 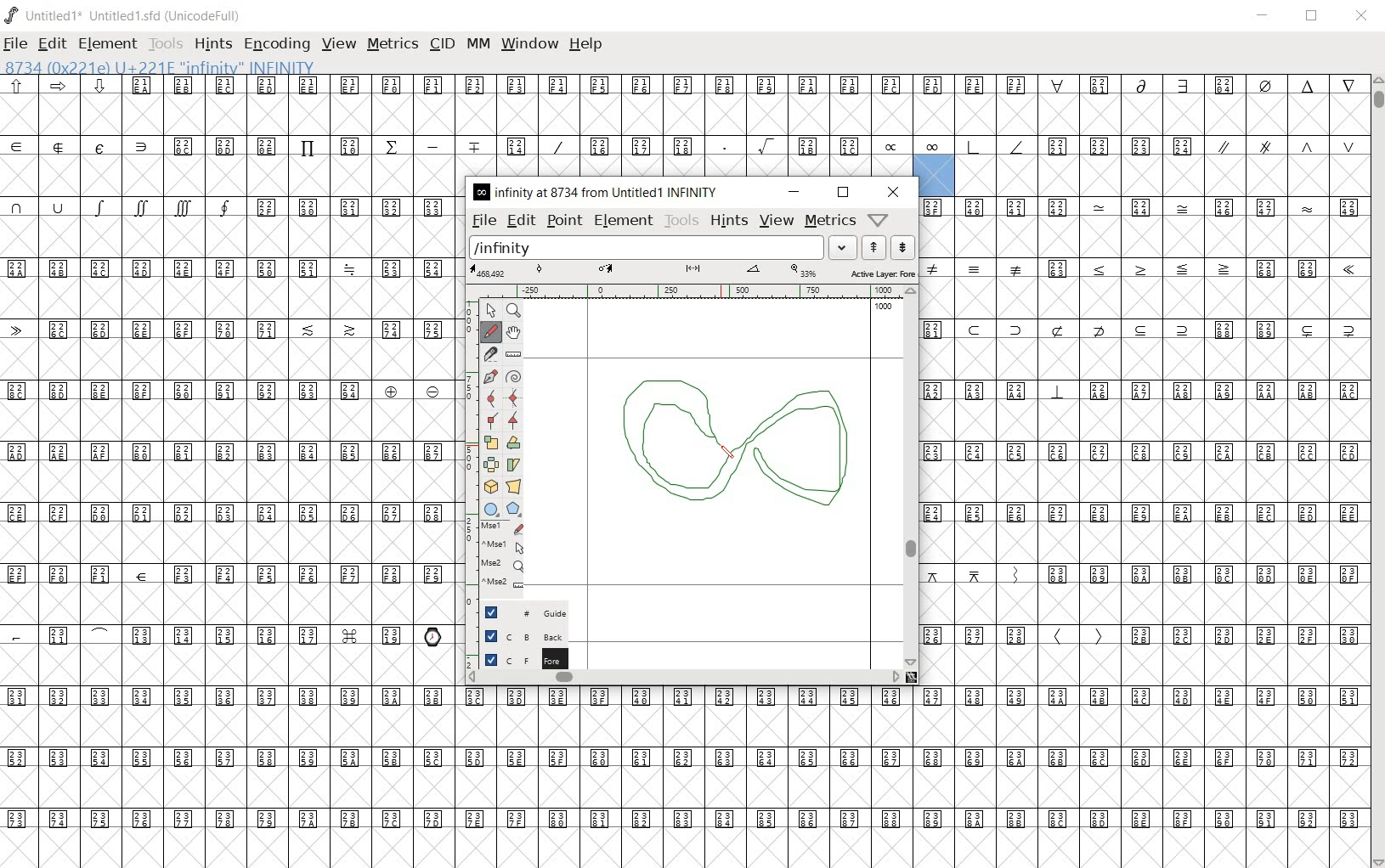 What do you see at coordinates (489, 486) in the screenshot?
I see `rotate the selection in 3D and project back to plane` at bounding box center [489, 486].